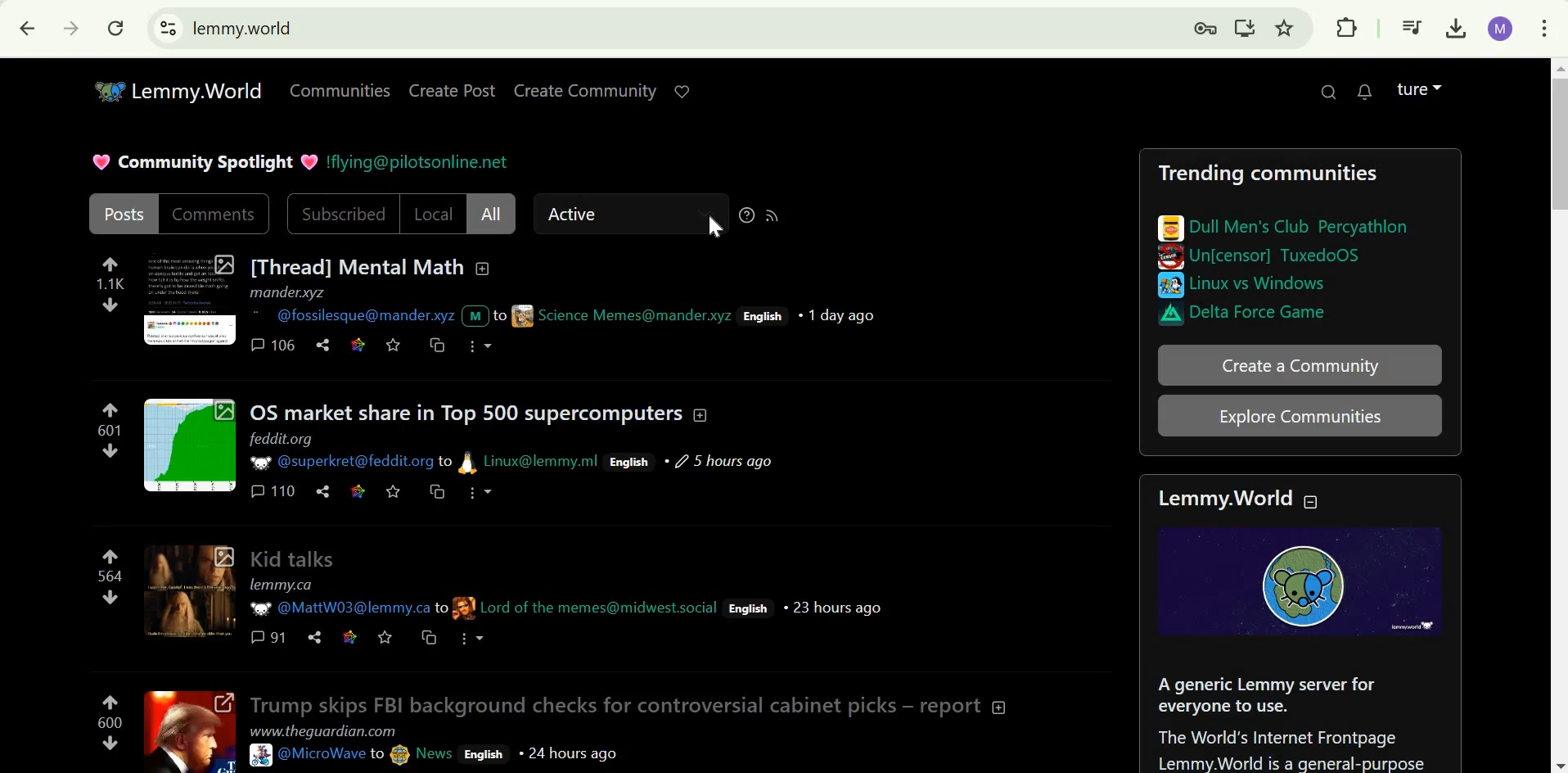  What do you see at coordinates (1304, 416) in the screenshot?
I see `Explore communities` at bounding box center [1304, 416].